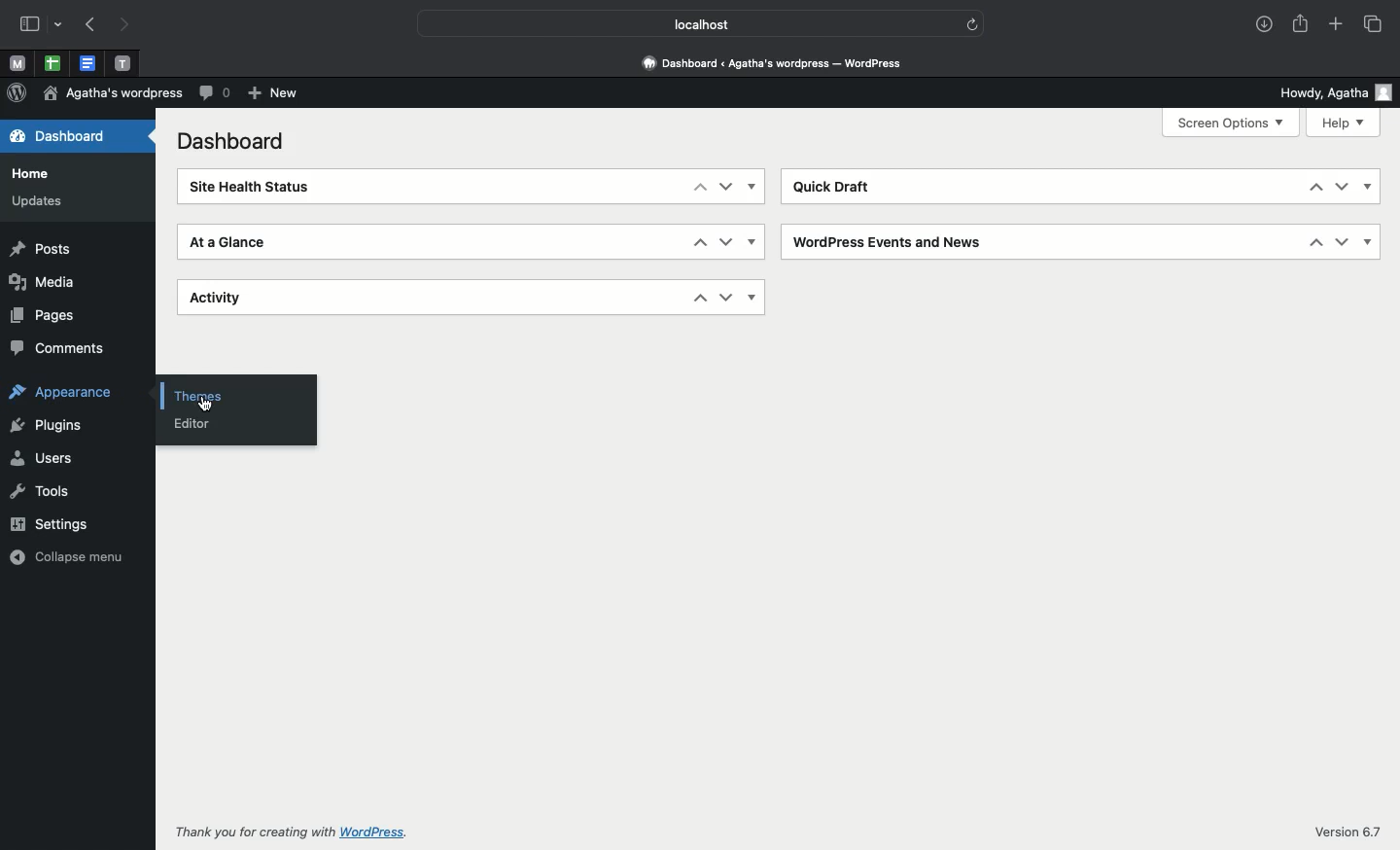  What do you see at coordinates (699, 299) in the screenshot?
I see `Up` at bounding box center [699, 299].